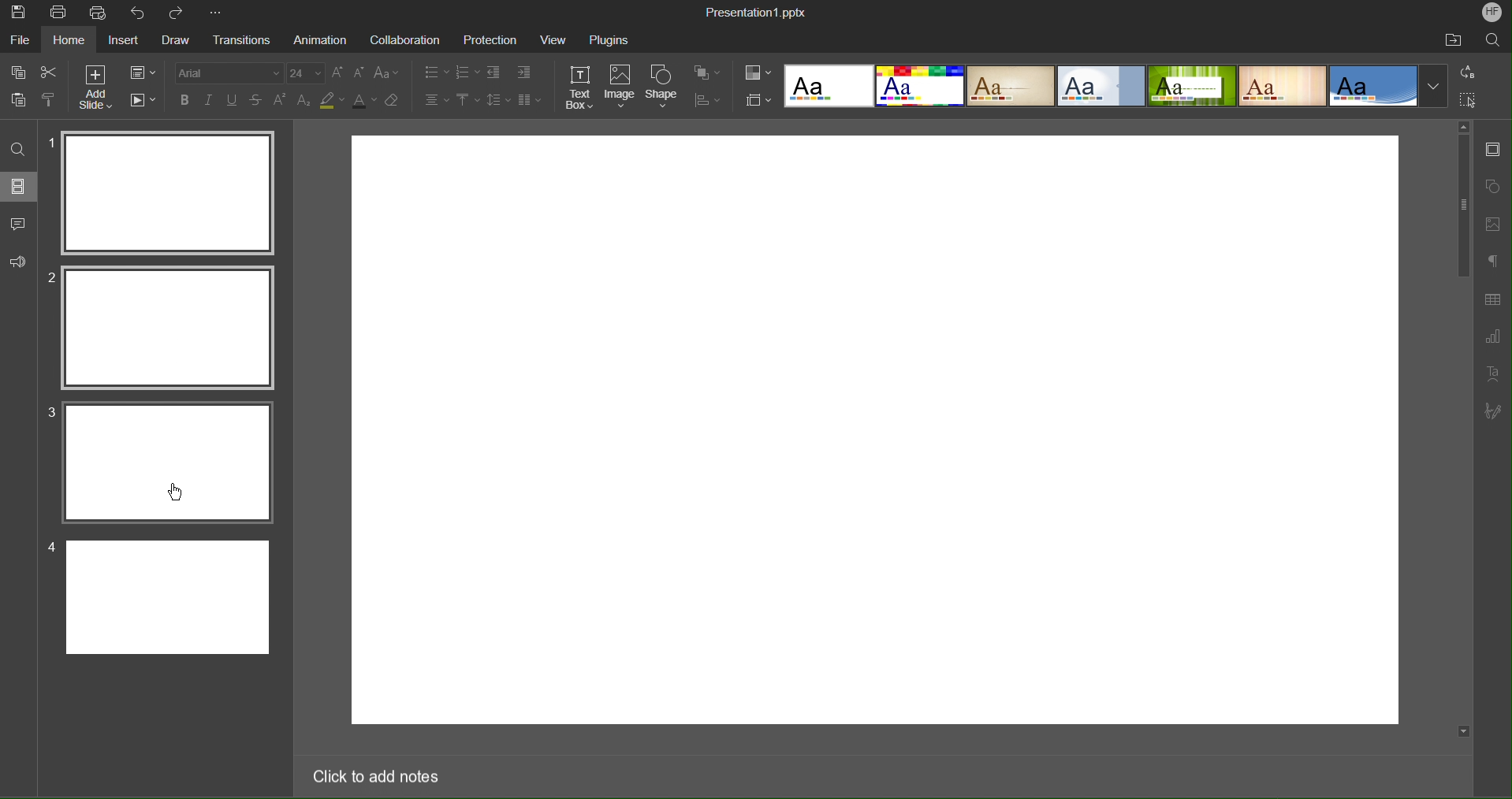 This screenshot has width=1512, height=799. What do you see at coordinates (142, 98) in the screenshot?
I see `Playback` at bounding box center [142, 98].